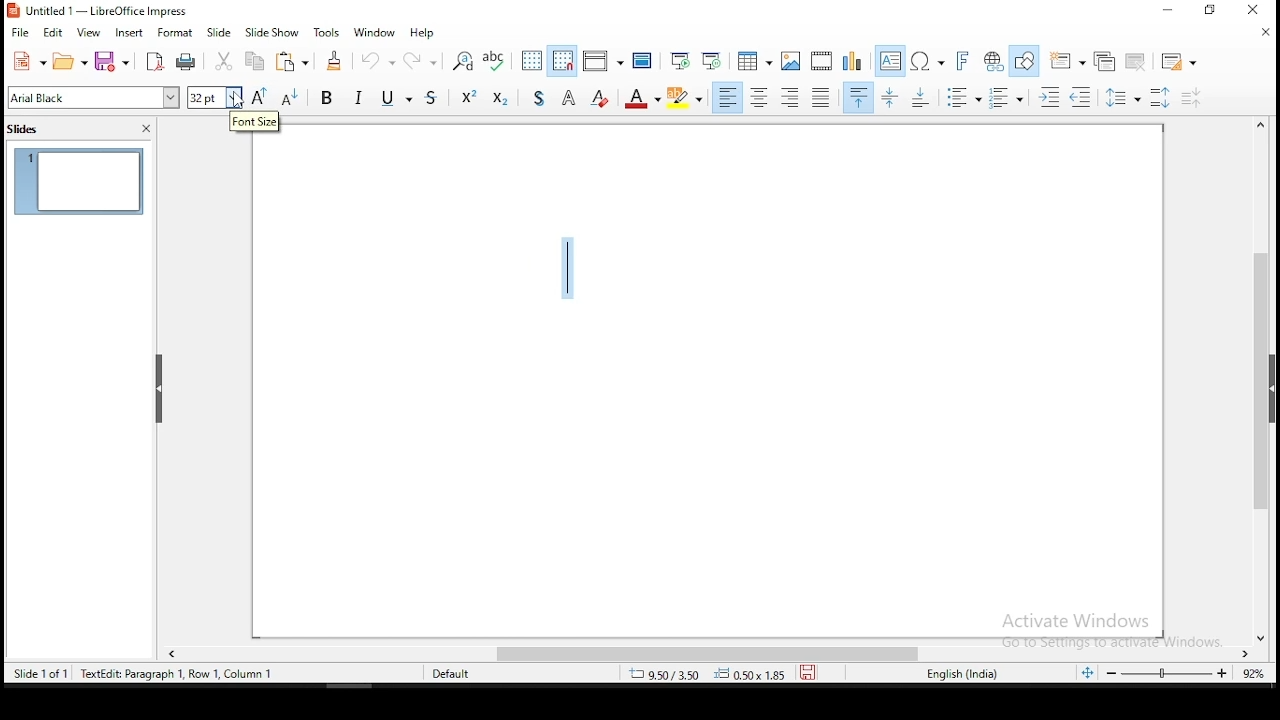  What do you see at coordinates (395, 96) in the screenshot?
I see `Underline` at bounding box center [395, 96].